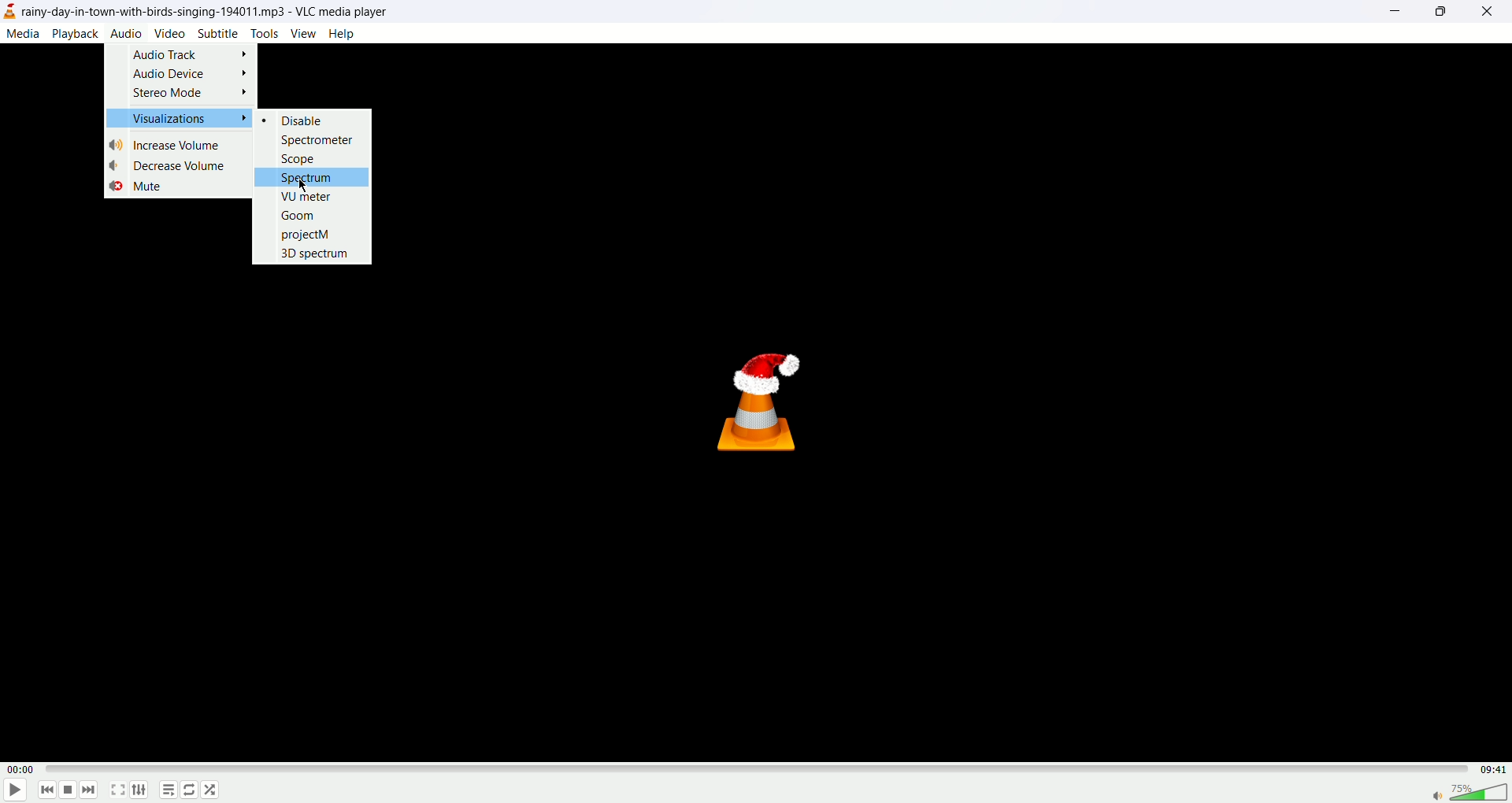  What do you see at coordinates (1492, 14) in the screenshot?
I see `close` at bounding box center [1492, 14].